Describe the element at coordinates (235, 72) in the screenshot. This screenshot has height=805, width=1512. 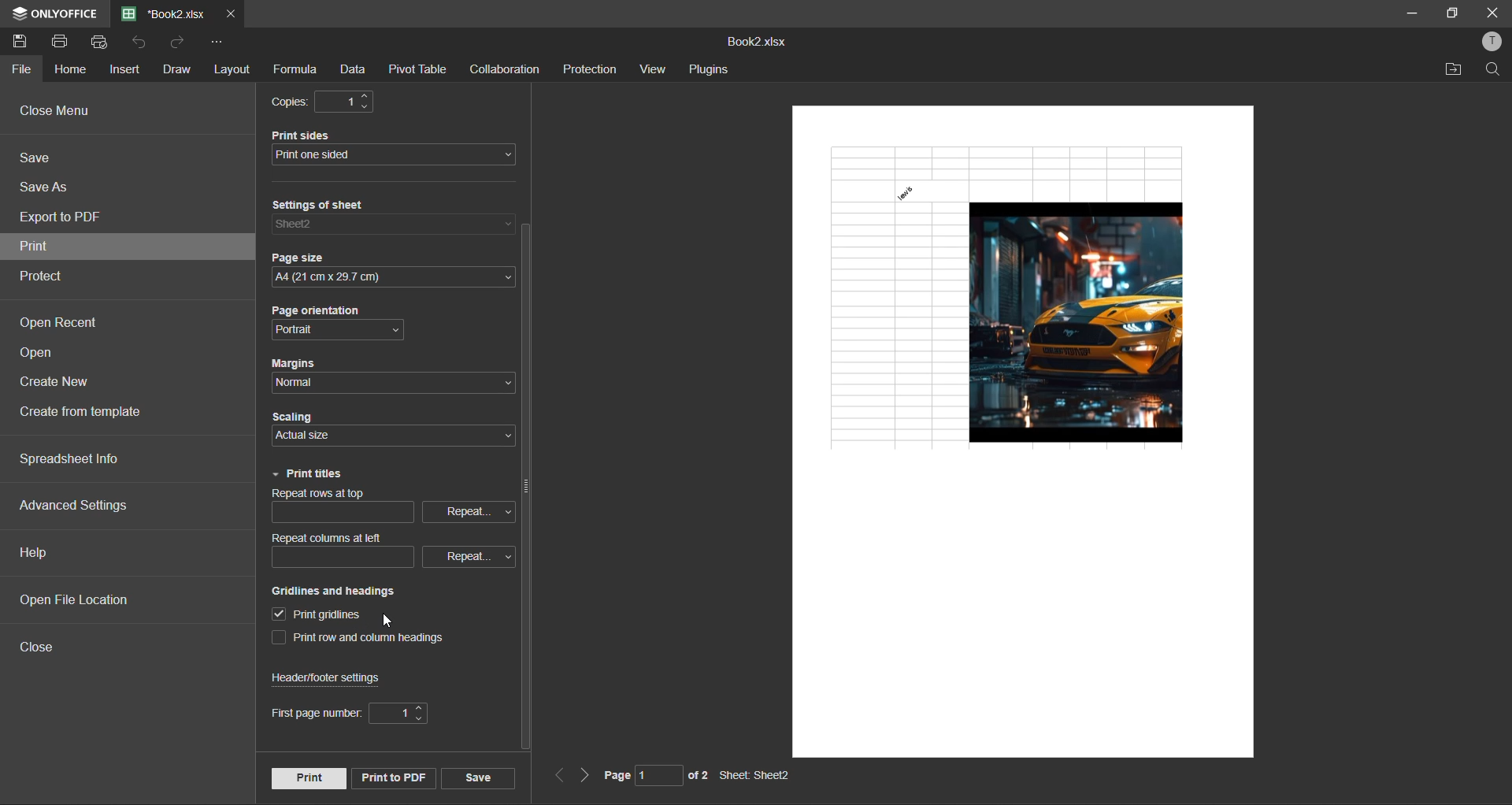
I see `layout` at that location.